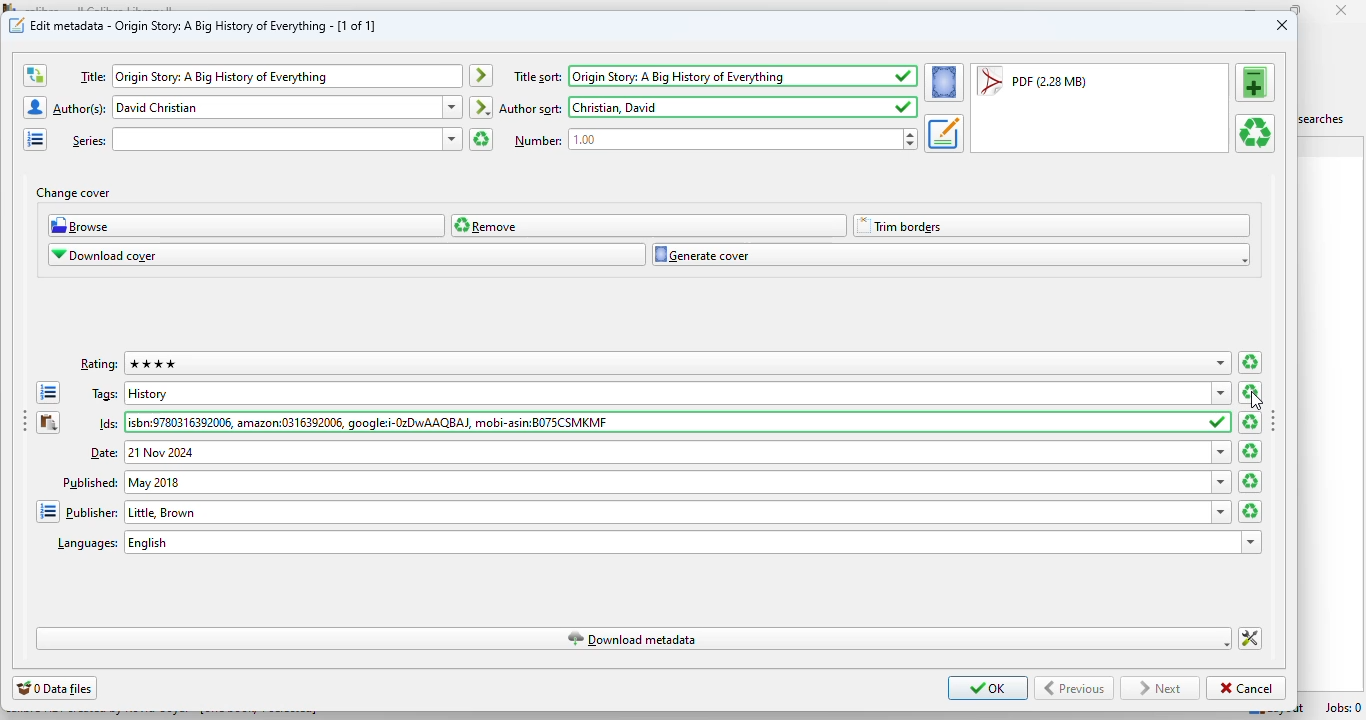 Image resolution: width=1366 pixels, height=720 pixels. What do you see at coordinates (1220, 422) in the screenshot?
I see `saved` at bounding box center [1220, 422].